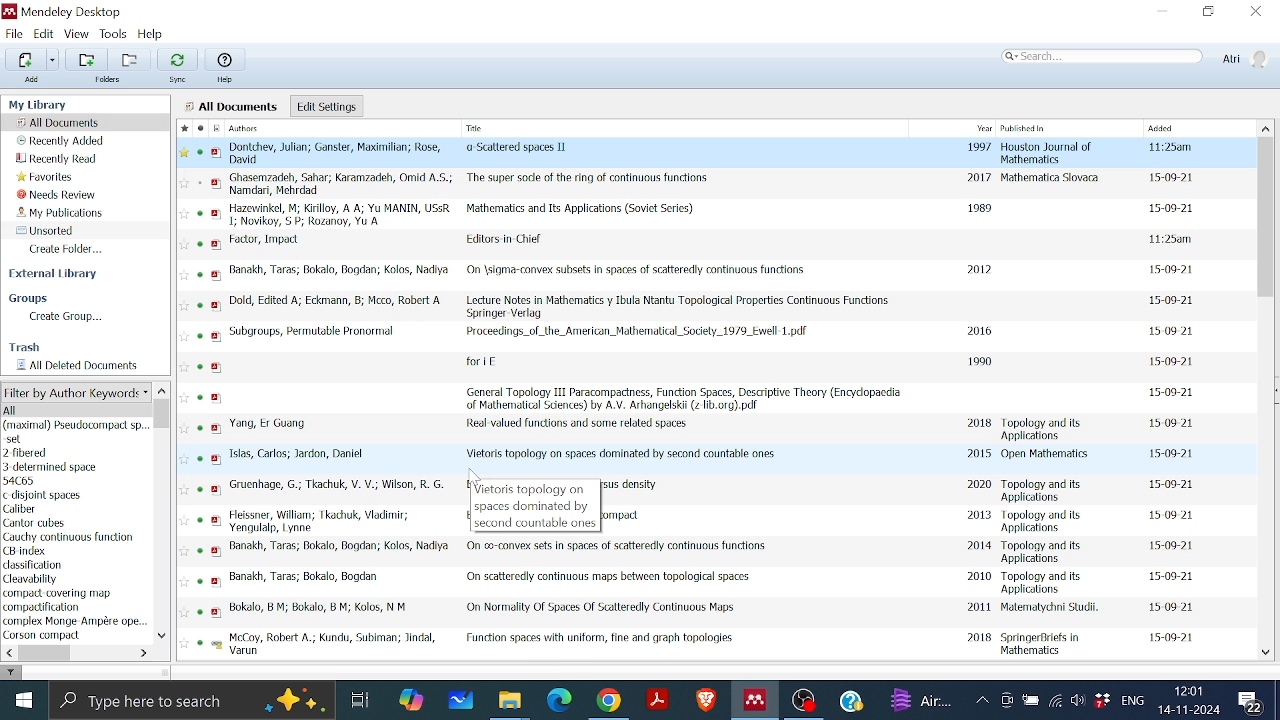  What do you see at coordinates (979, 639) in the screenshot?
I see `2018` at bounding box center [979, 639].